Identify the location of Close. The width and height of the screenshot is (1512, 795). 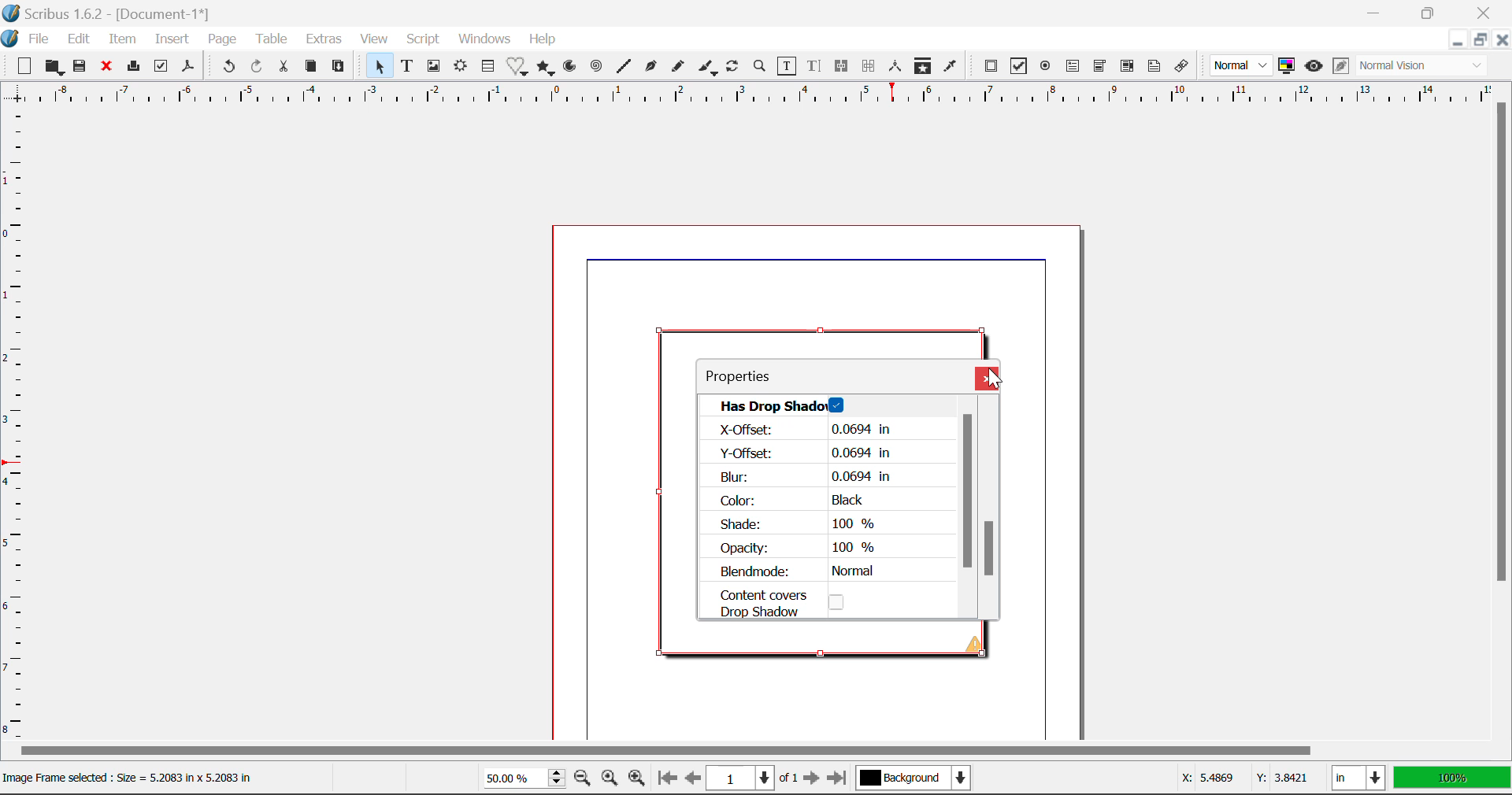
(1502, 40).